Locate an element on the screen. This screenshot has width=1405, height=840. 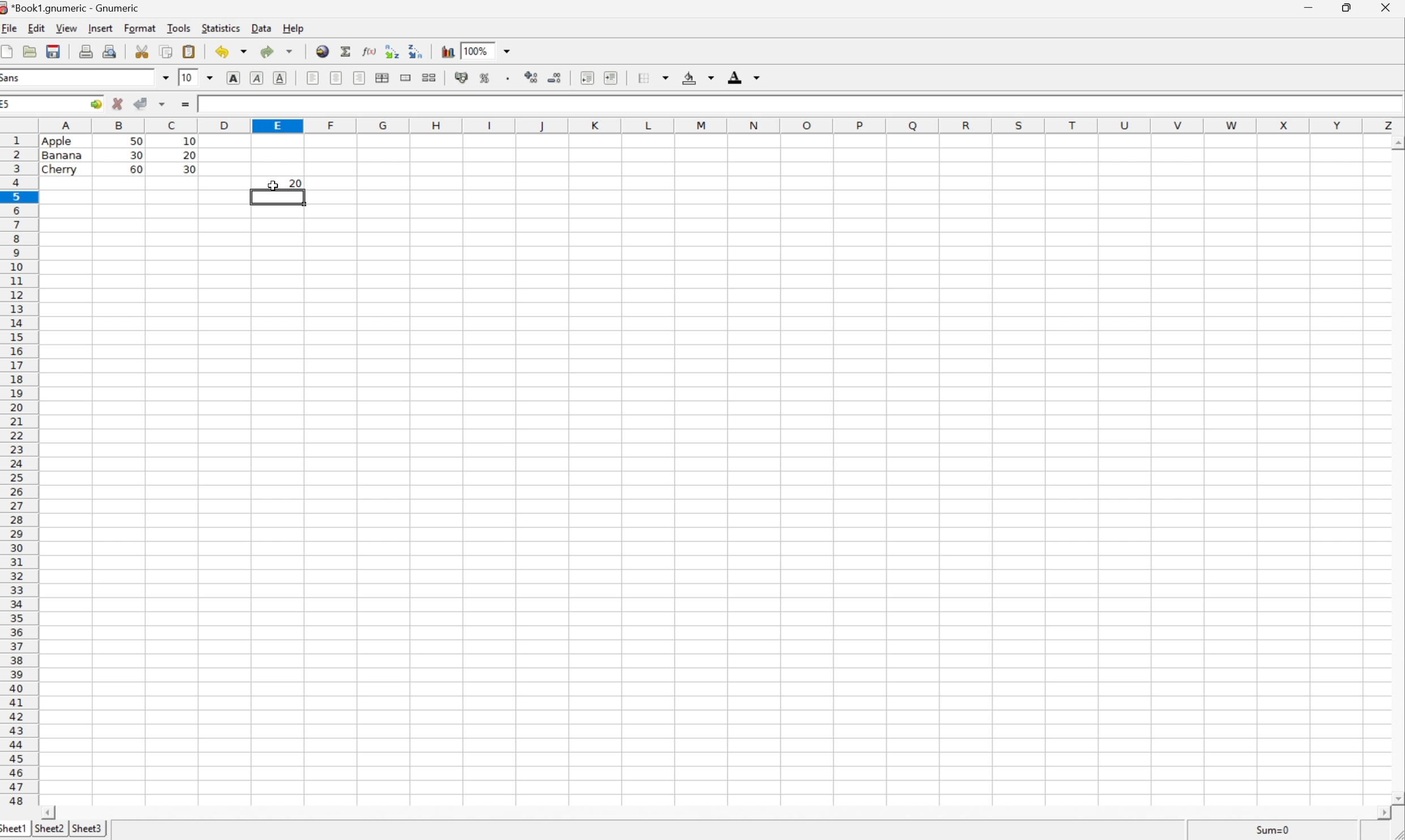
scroll down is located at coordinates (1396, 798).